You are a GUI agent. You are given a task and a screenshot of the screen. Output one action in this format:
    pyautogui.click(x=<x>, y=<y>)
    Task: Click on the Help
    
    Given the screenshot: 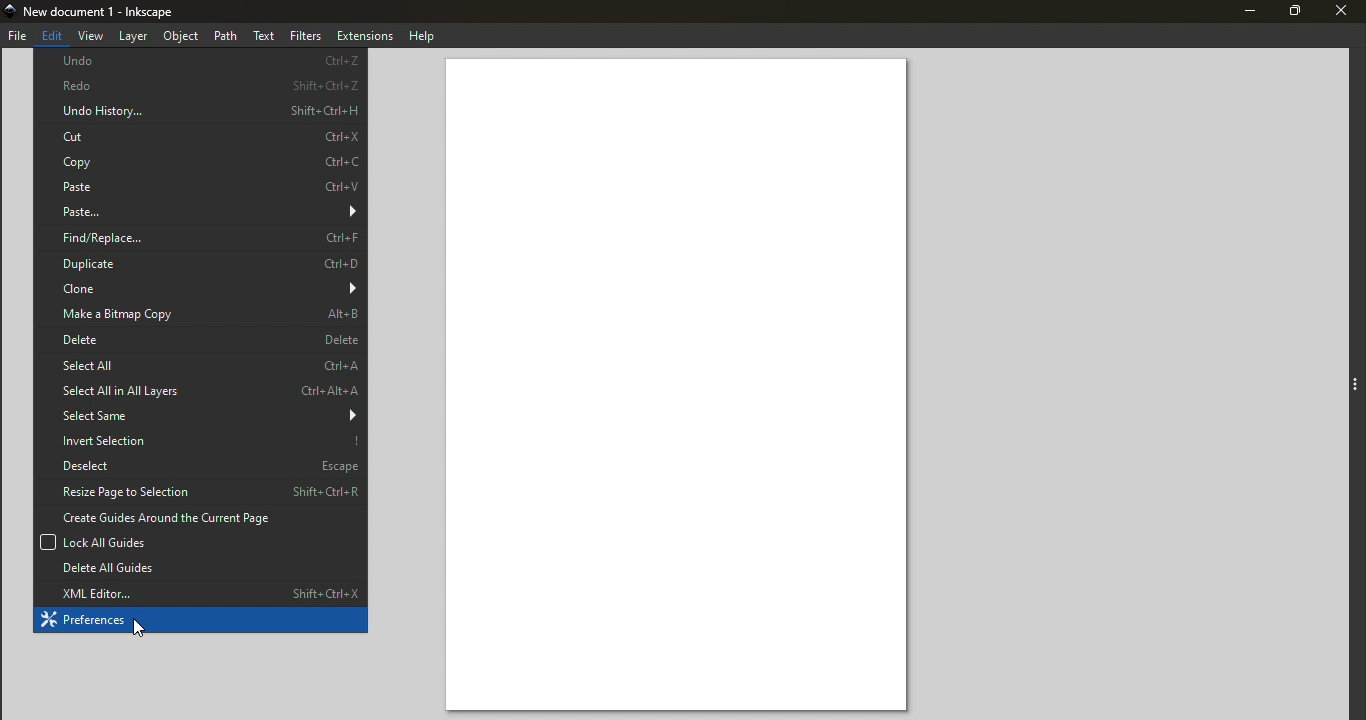 What is the action you would take?
    pyautogui.click(x=421, y=33)
    